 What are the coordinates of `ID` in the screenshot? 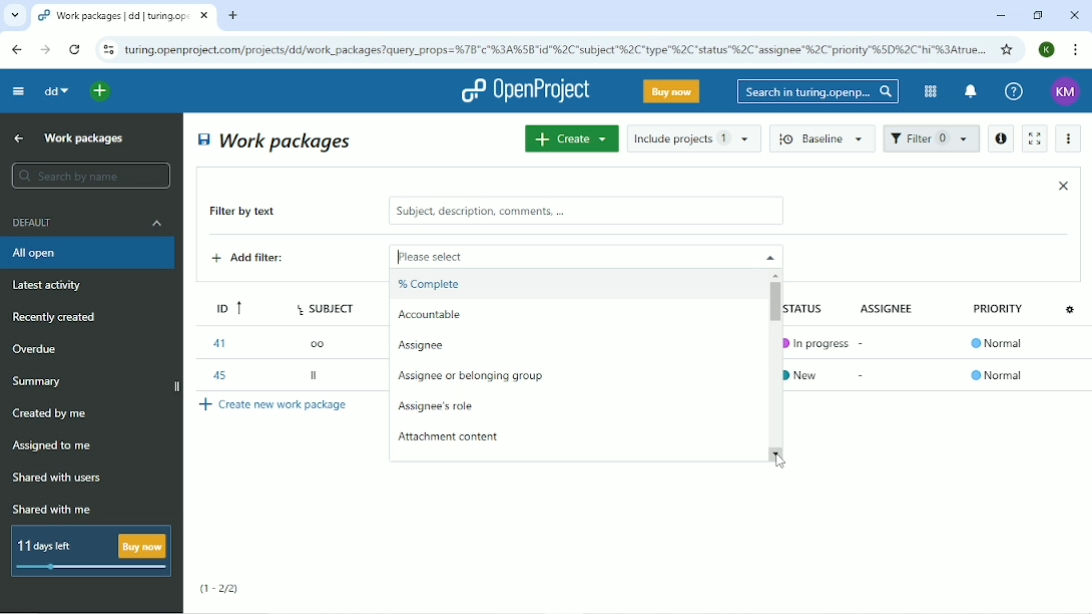 It's located at (223, 305).